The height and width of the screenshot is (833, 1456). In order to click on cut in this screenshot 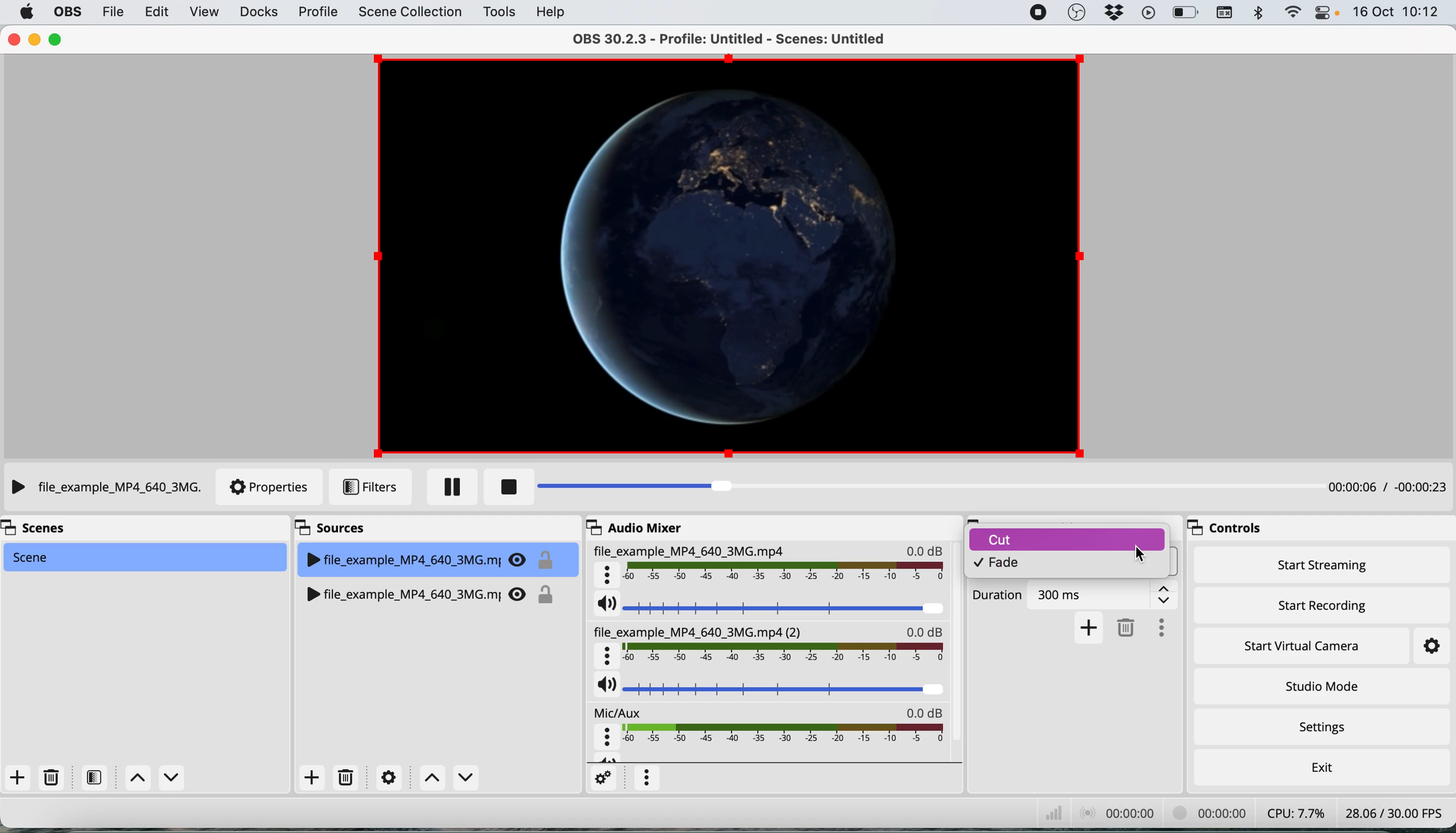, I will do `click(1006, 539)`.